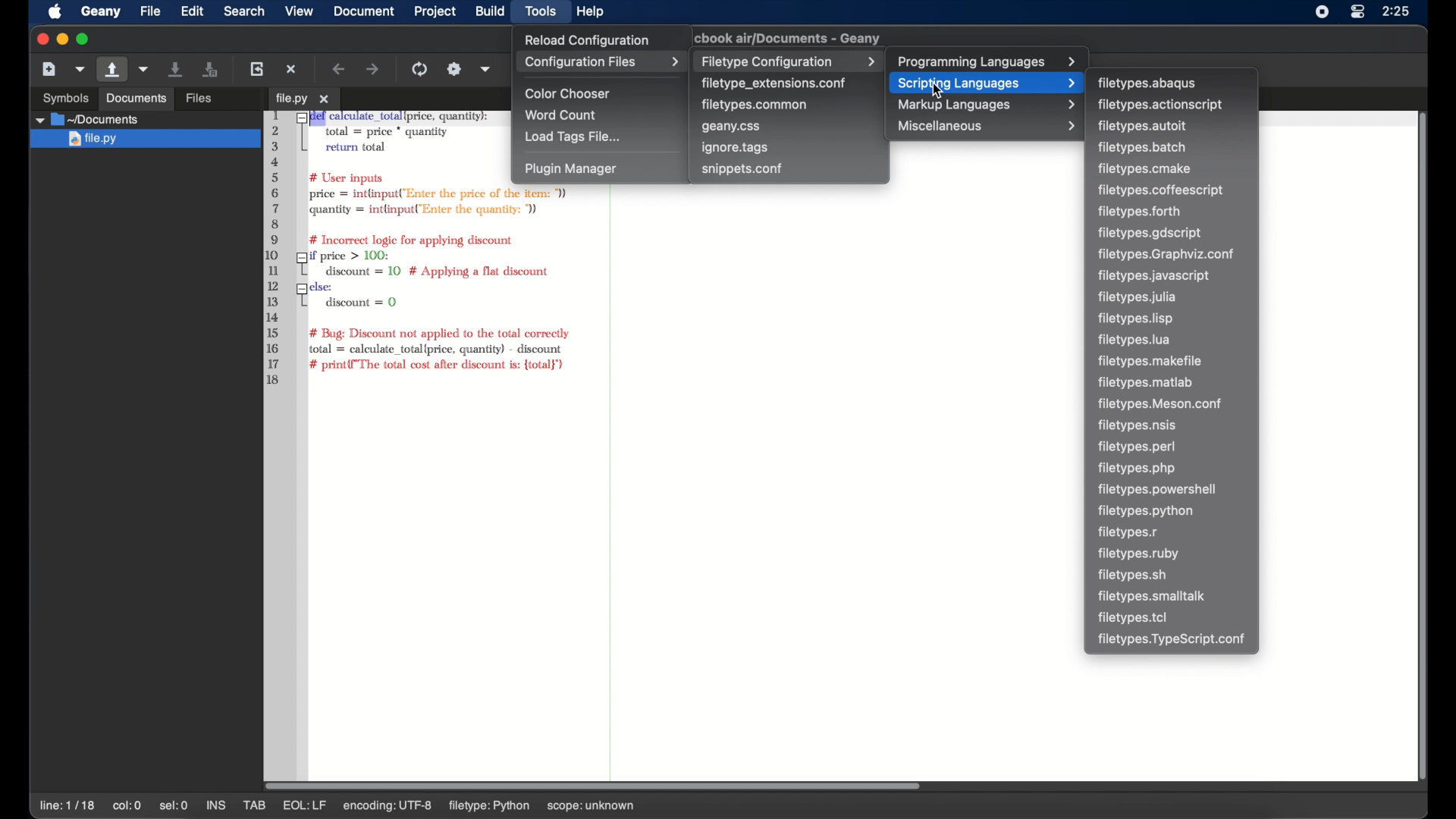 The width and height of the screenshot is (1456, 819). What do you see at coordinates (736, 148) in the screenshot?
I see `ignore.tags` at bounding box center [736, 148].